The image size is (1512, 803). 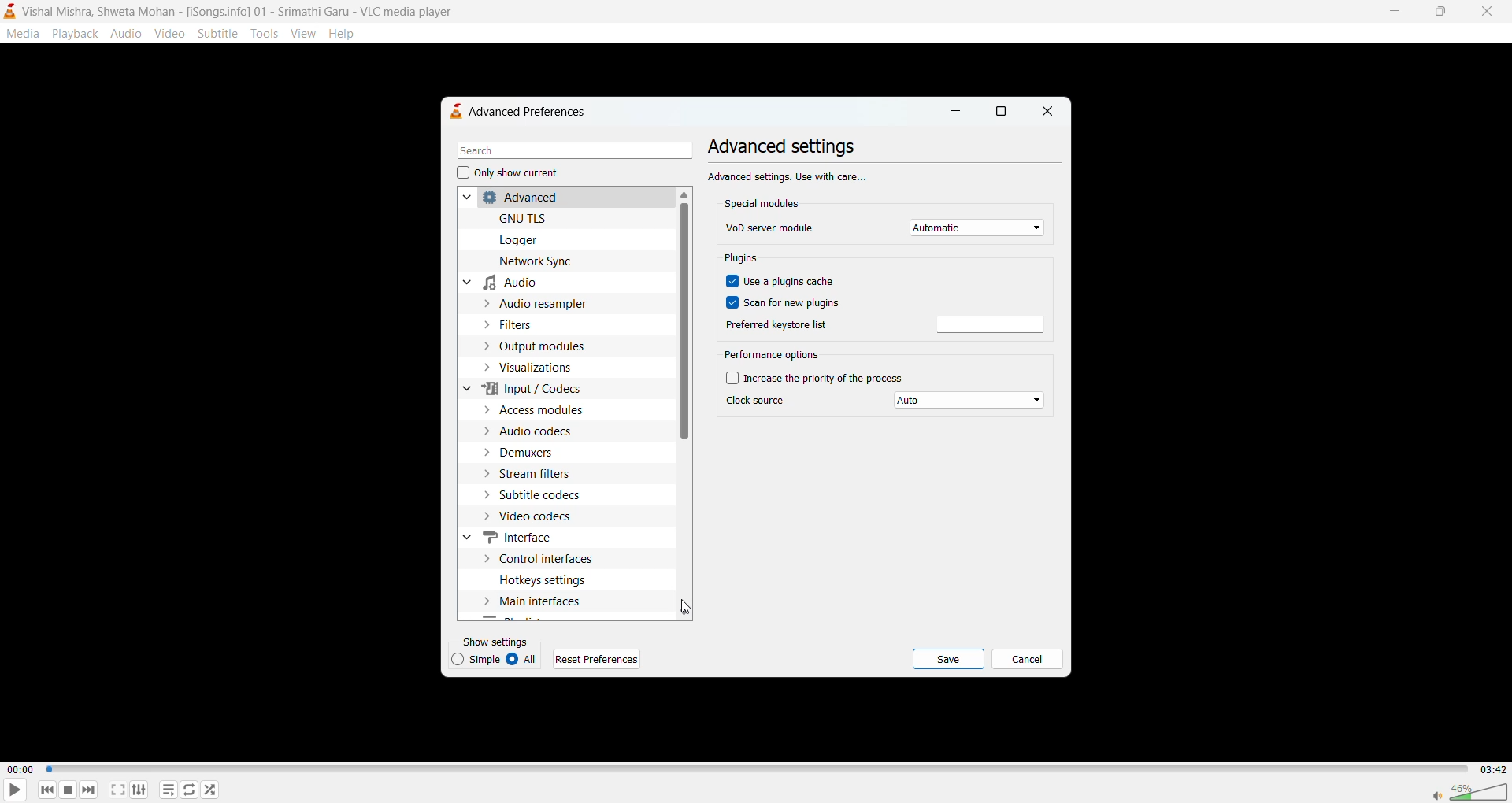 I want to click on advanced preferences, so click(x=525, y=111).